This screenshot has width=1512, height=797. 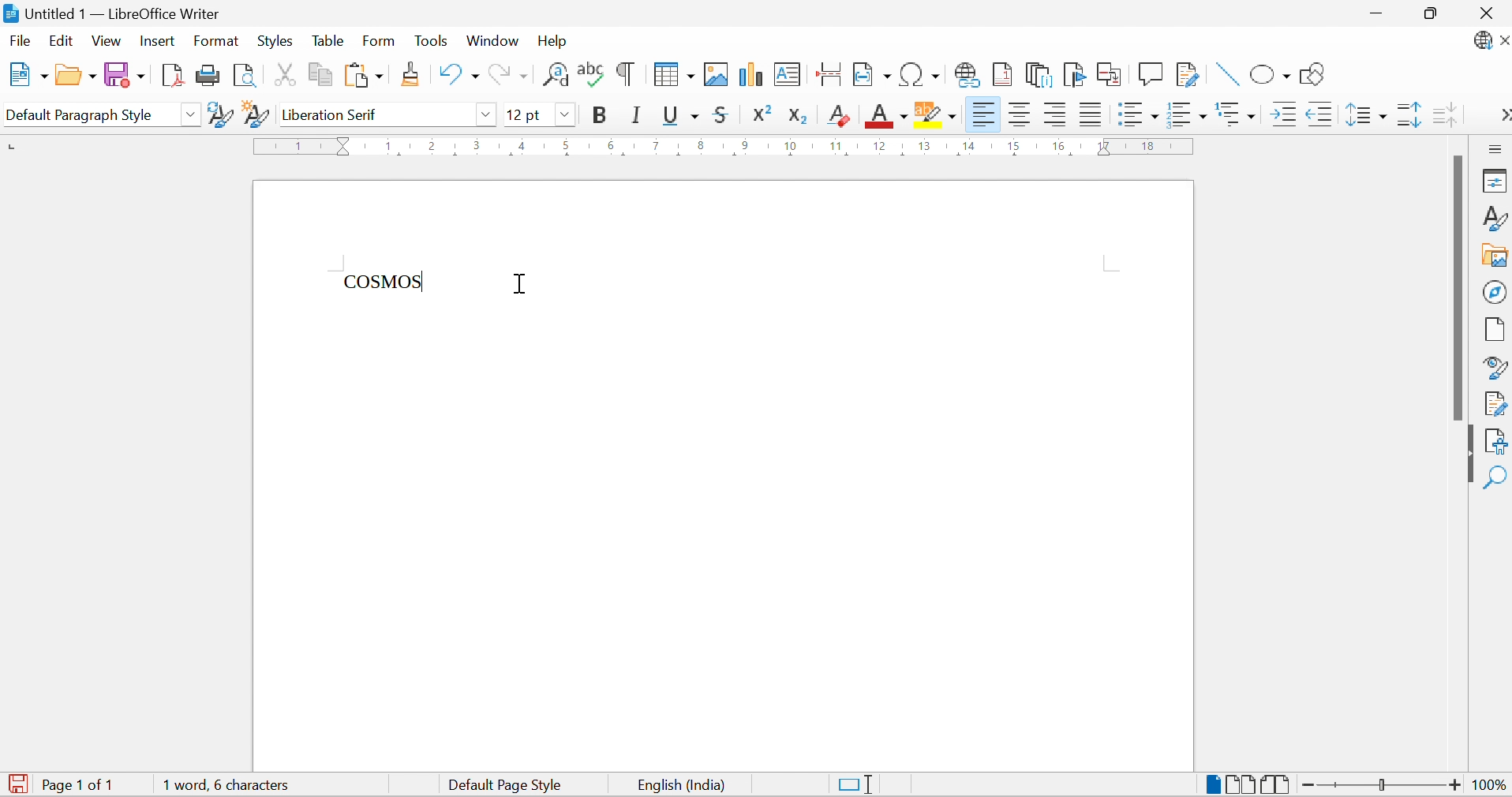 What do you see at coordinates (601, 115) in the screenshot?
I see `Bold` at bounding box center [601, 115].